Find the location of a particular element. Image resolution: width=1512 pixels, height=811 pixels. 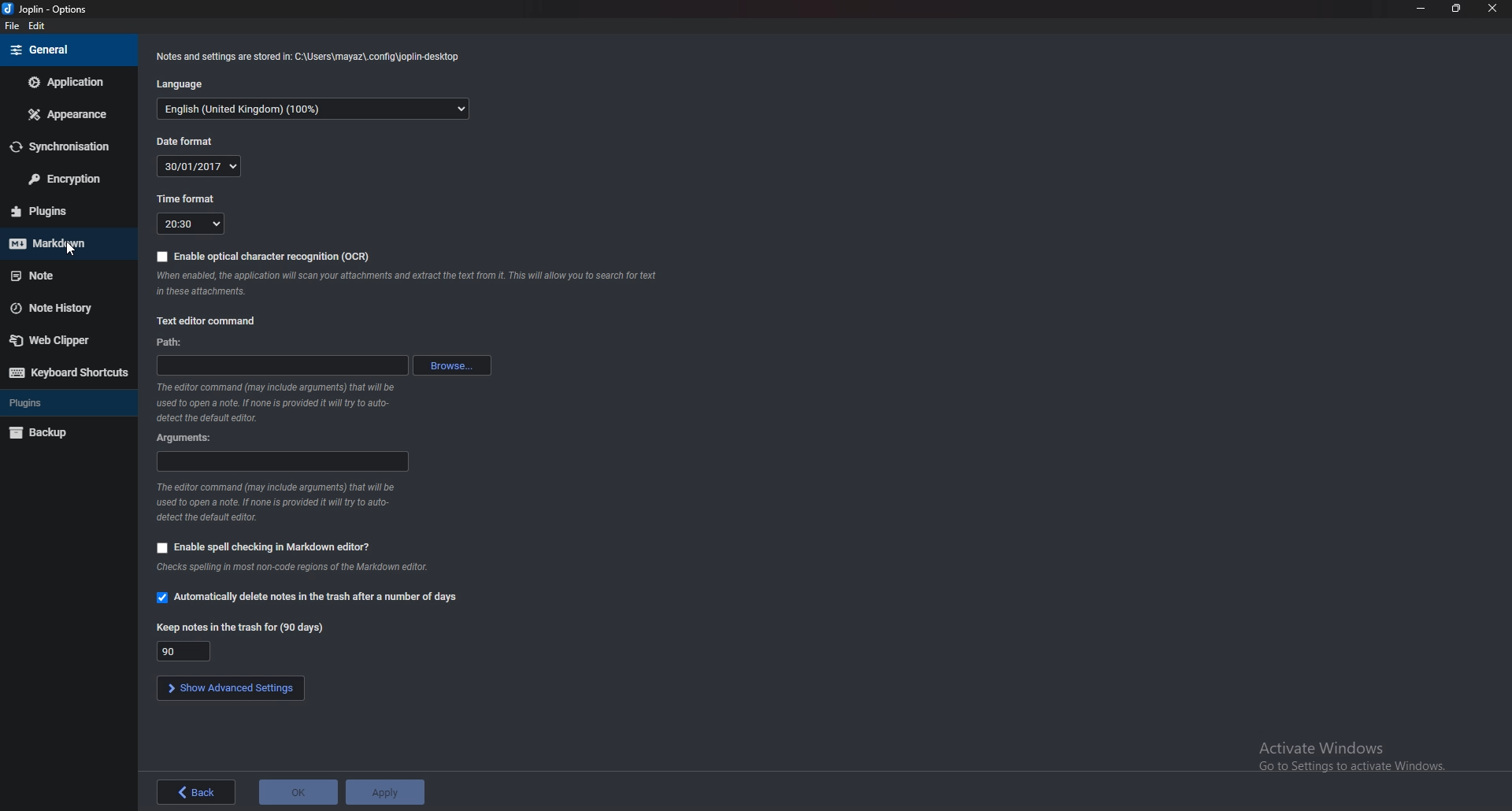

Date format is located at coordinates (188, 142).